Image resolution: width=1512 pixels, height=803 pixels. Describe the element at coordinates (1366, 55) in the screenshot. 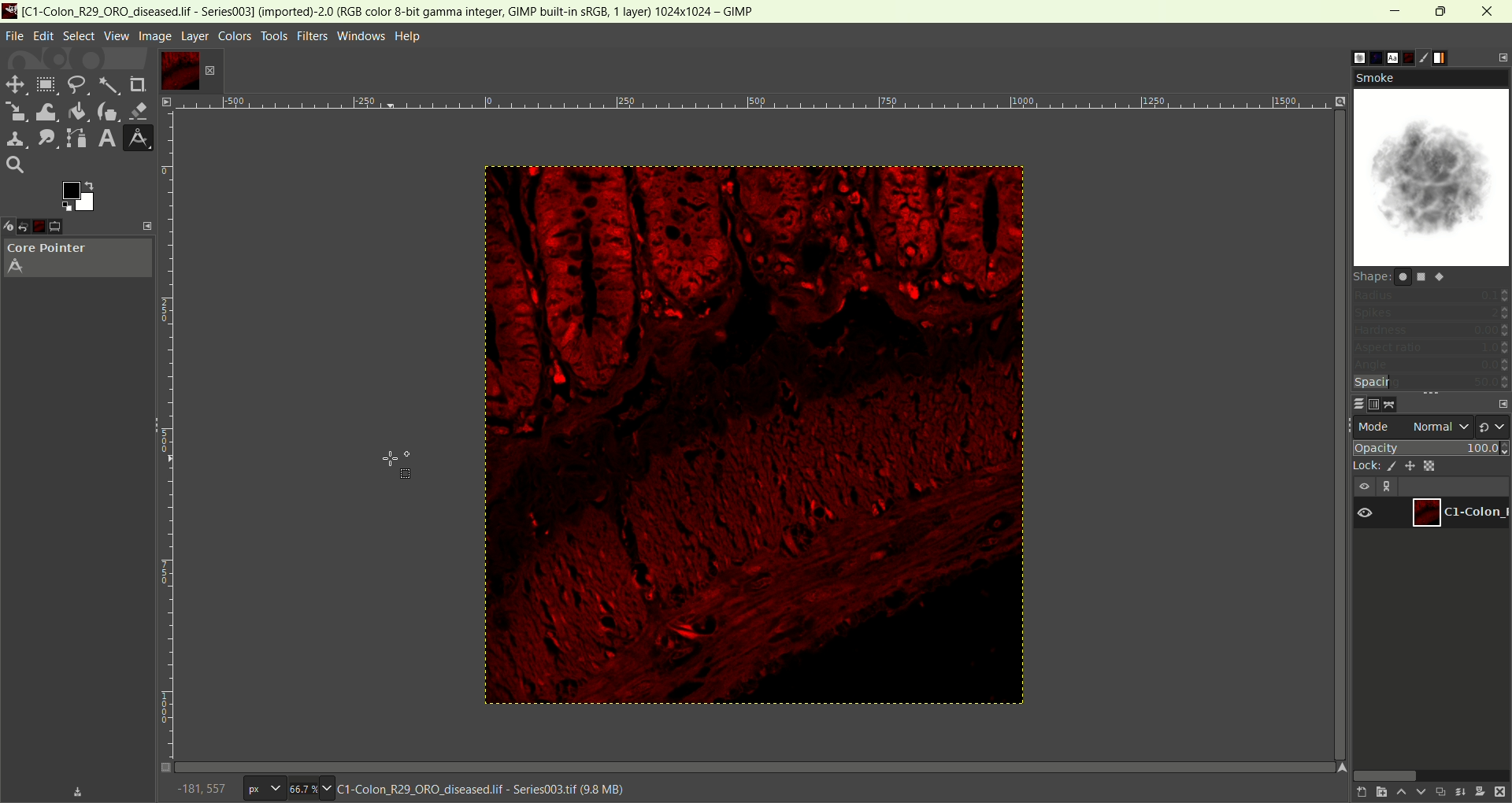

I see `pattern` at that location.